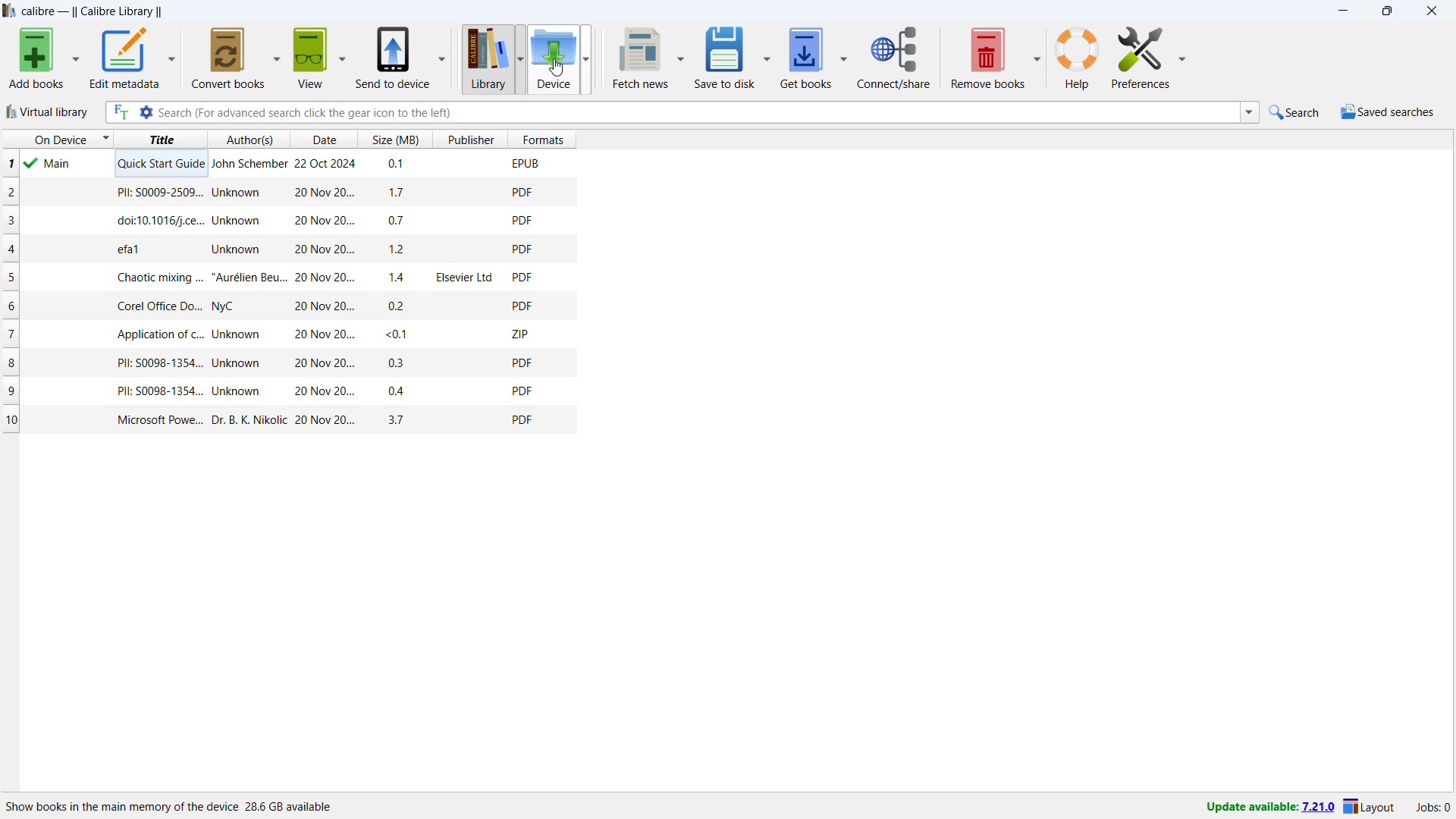  I want to click on one book entry, so click(347, 165).